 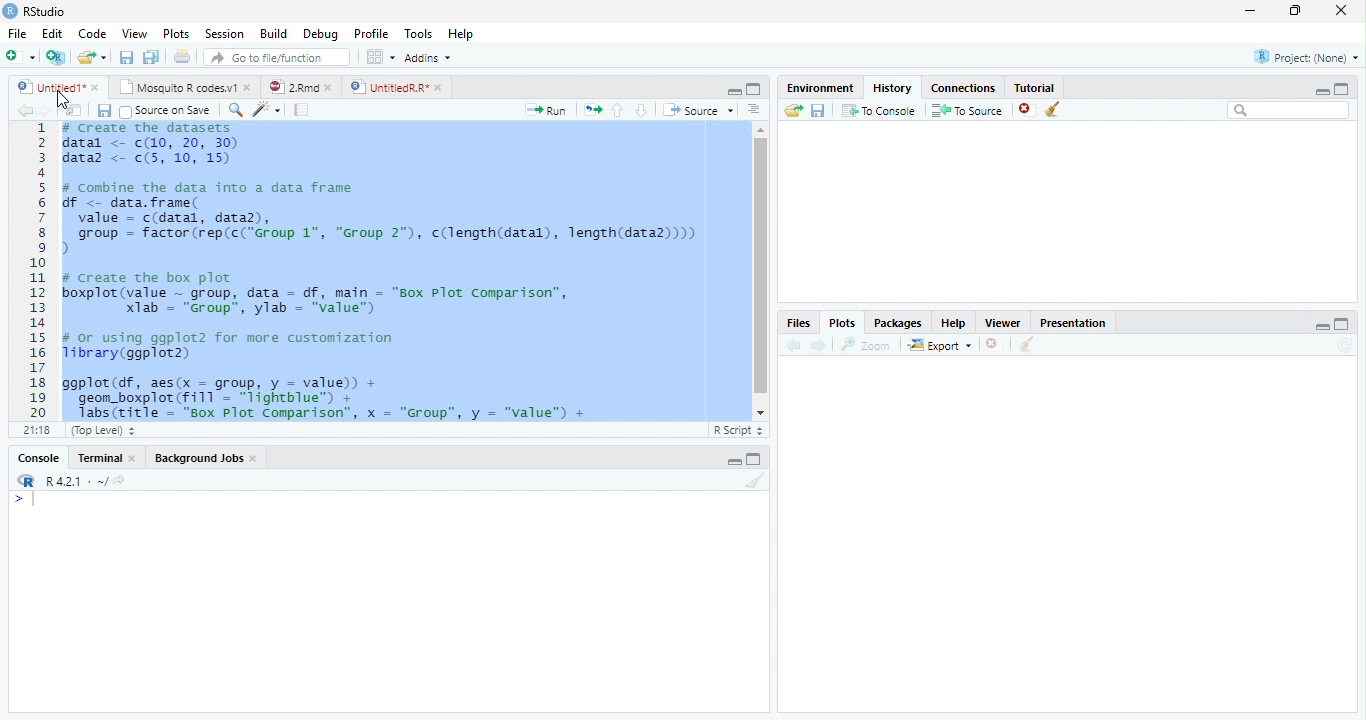 What do you see at coordinates (50, 33) in the screenshot?
I see `Edit` at bounding box center [50, 33].